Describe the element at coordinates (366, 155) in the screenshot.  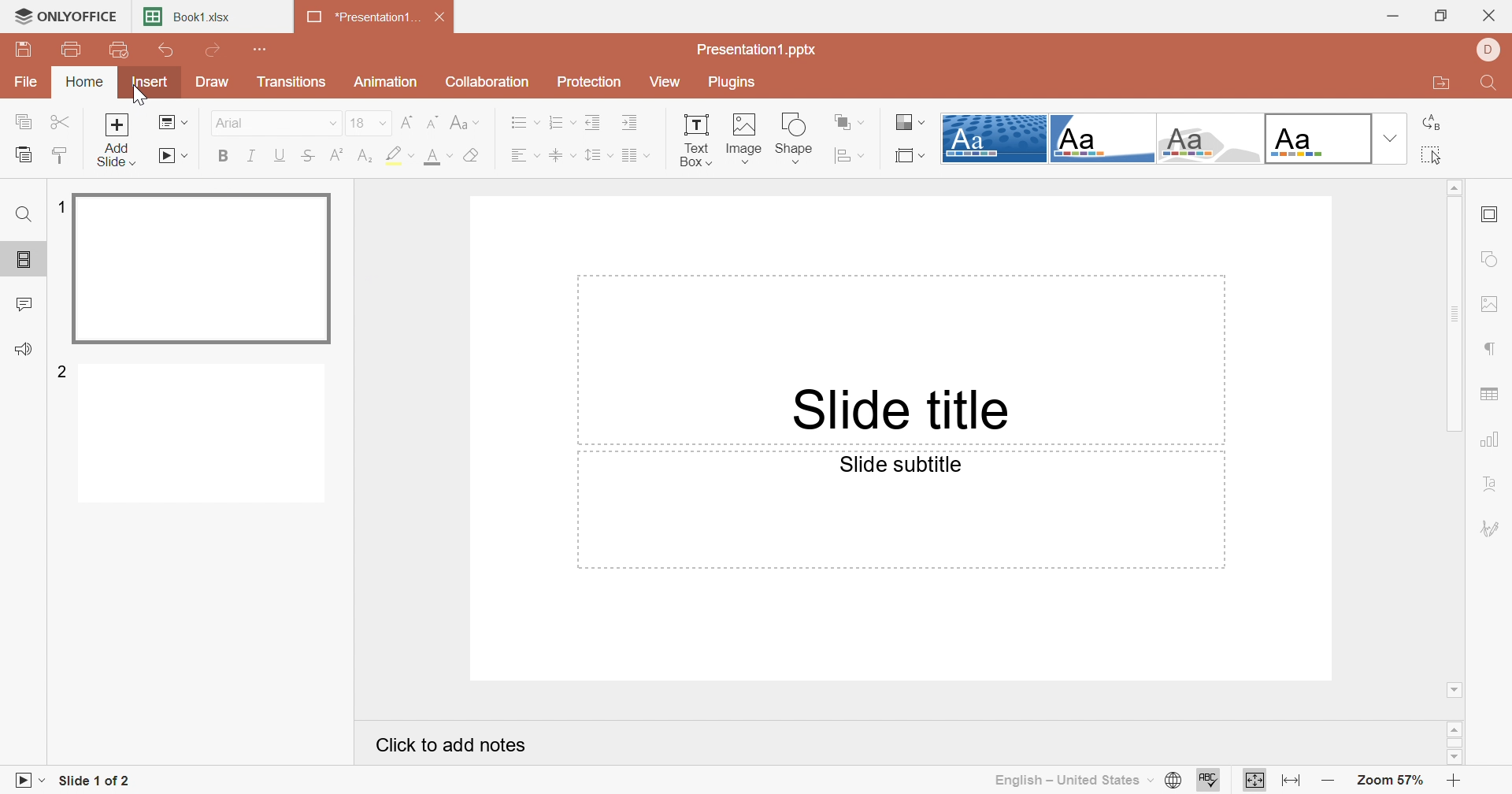
I see `Subscript` at that location.